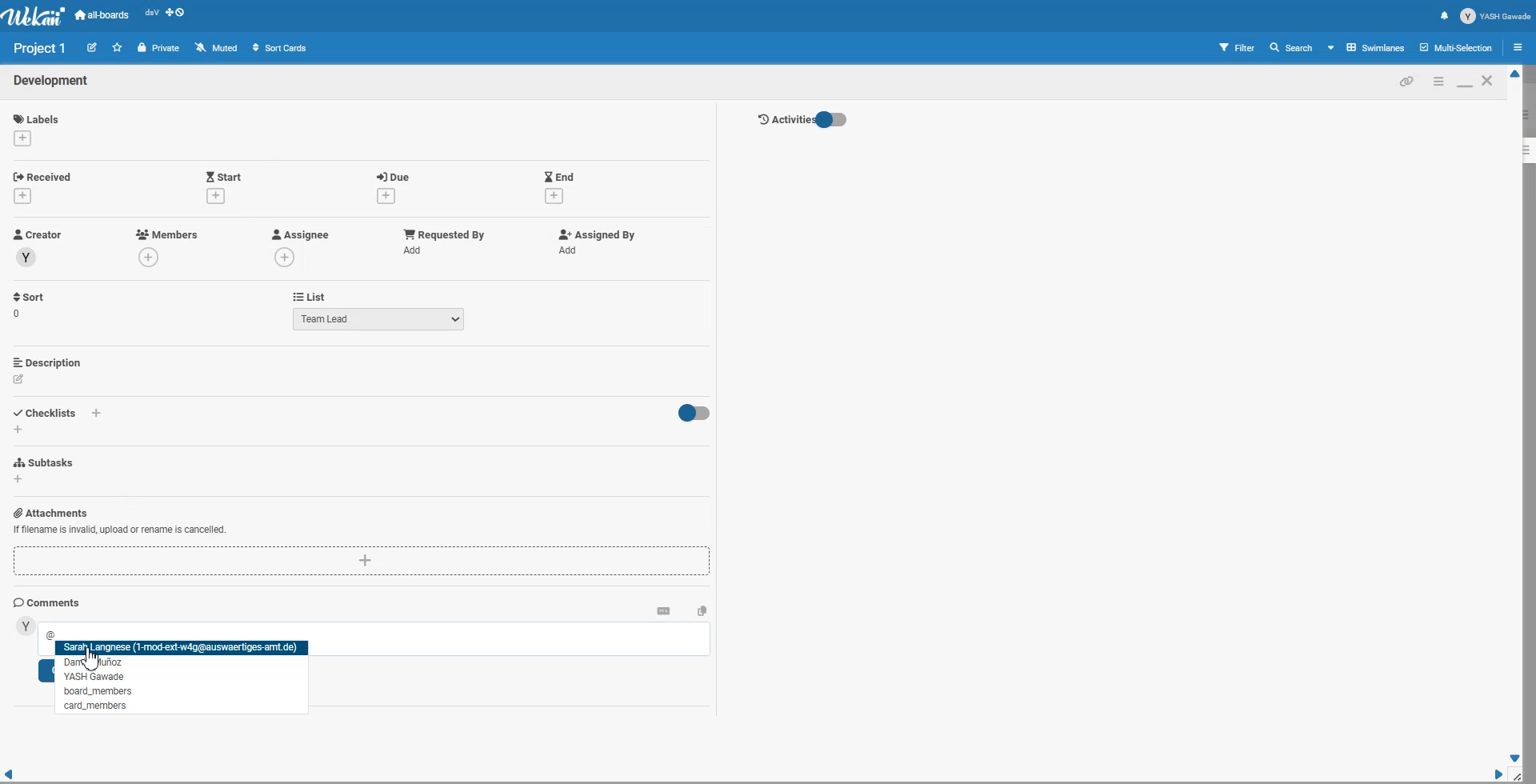 This screenshot has height=784, width=1536. I want to click on Sort, so click(30, 305).